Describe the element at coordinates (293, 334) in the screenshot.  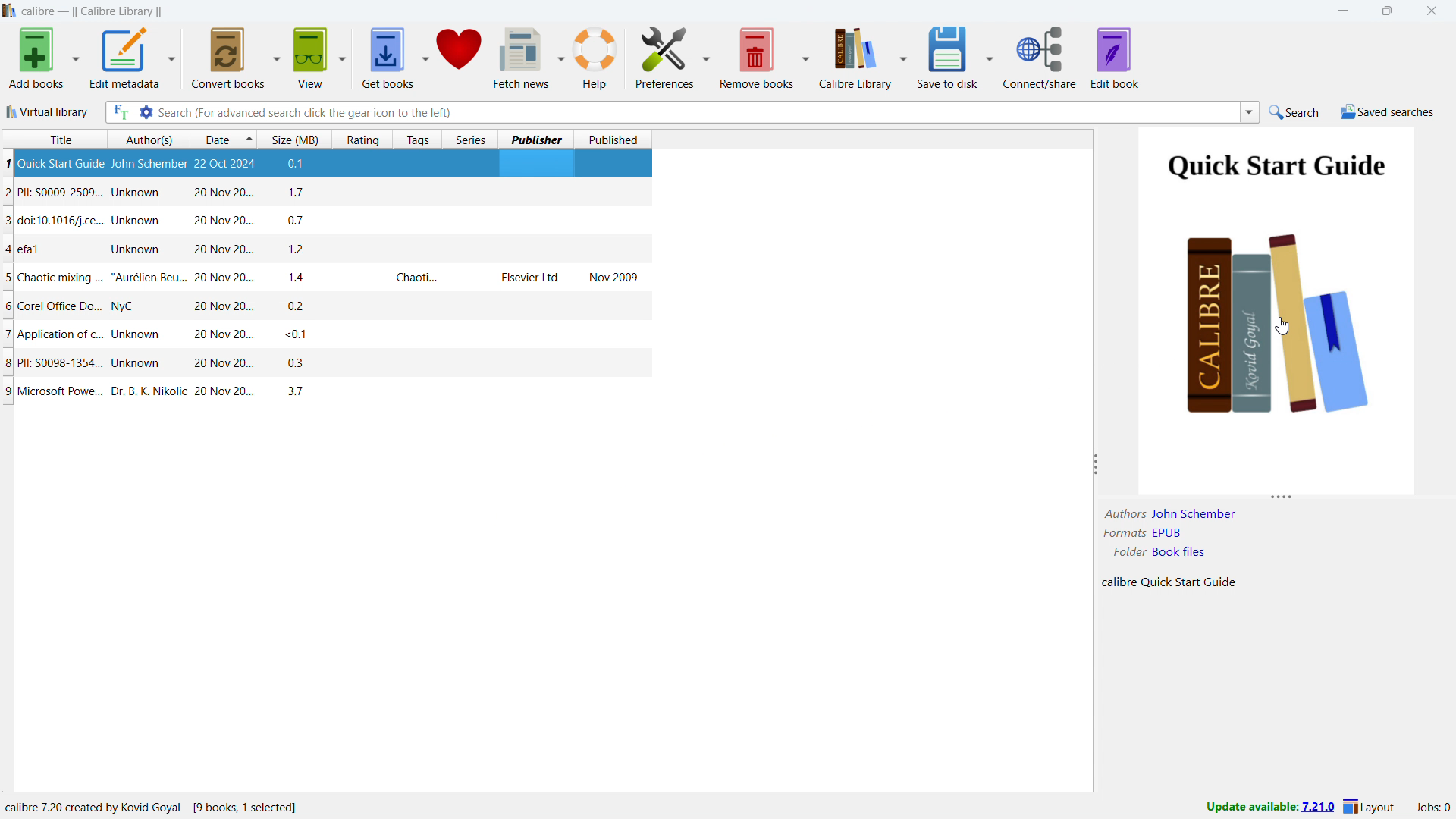
I see `<0.1` at that location.